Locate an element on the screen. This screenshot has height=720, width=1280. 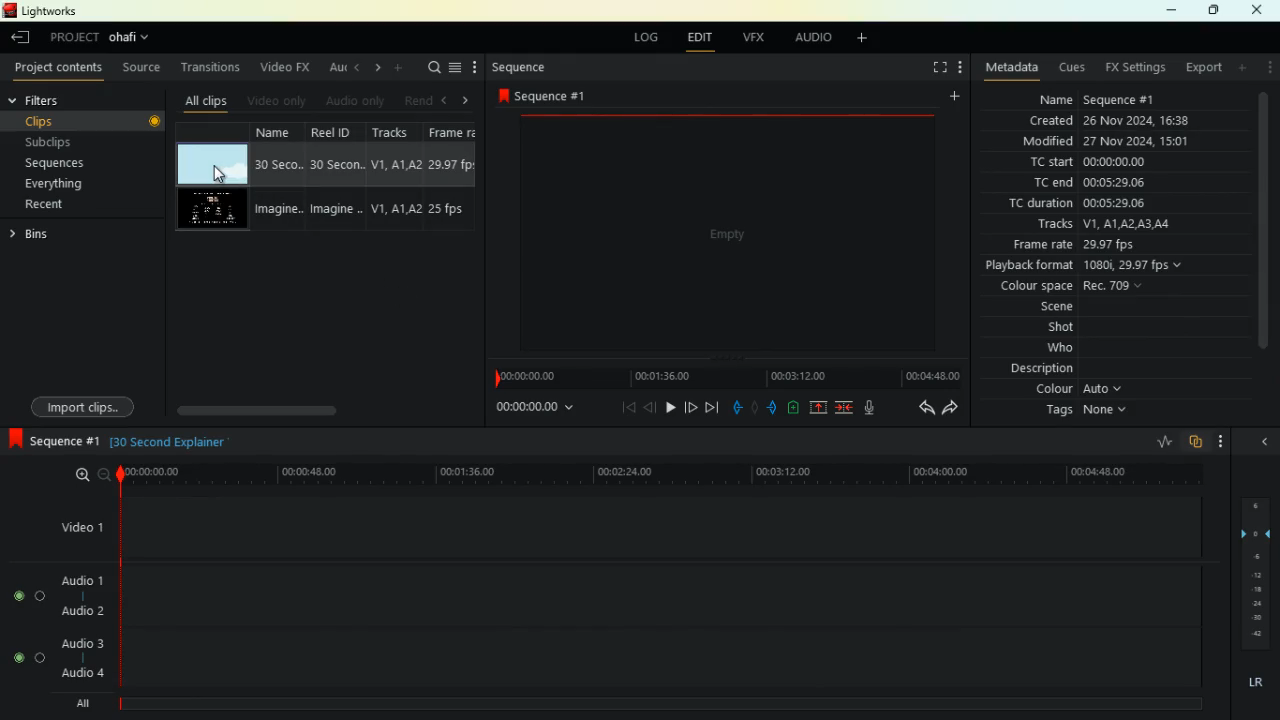
all clips is located at coordinates (205, 103).